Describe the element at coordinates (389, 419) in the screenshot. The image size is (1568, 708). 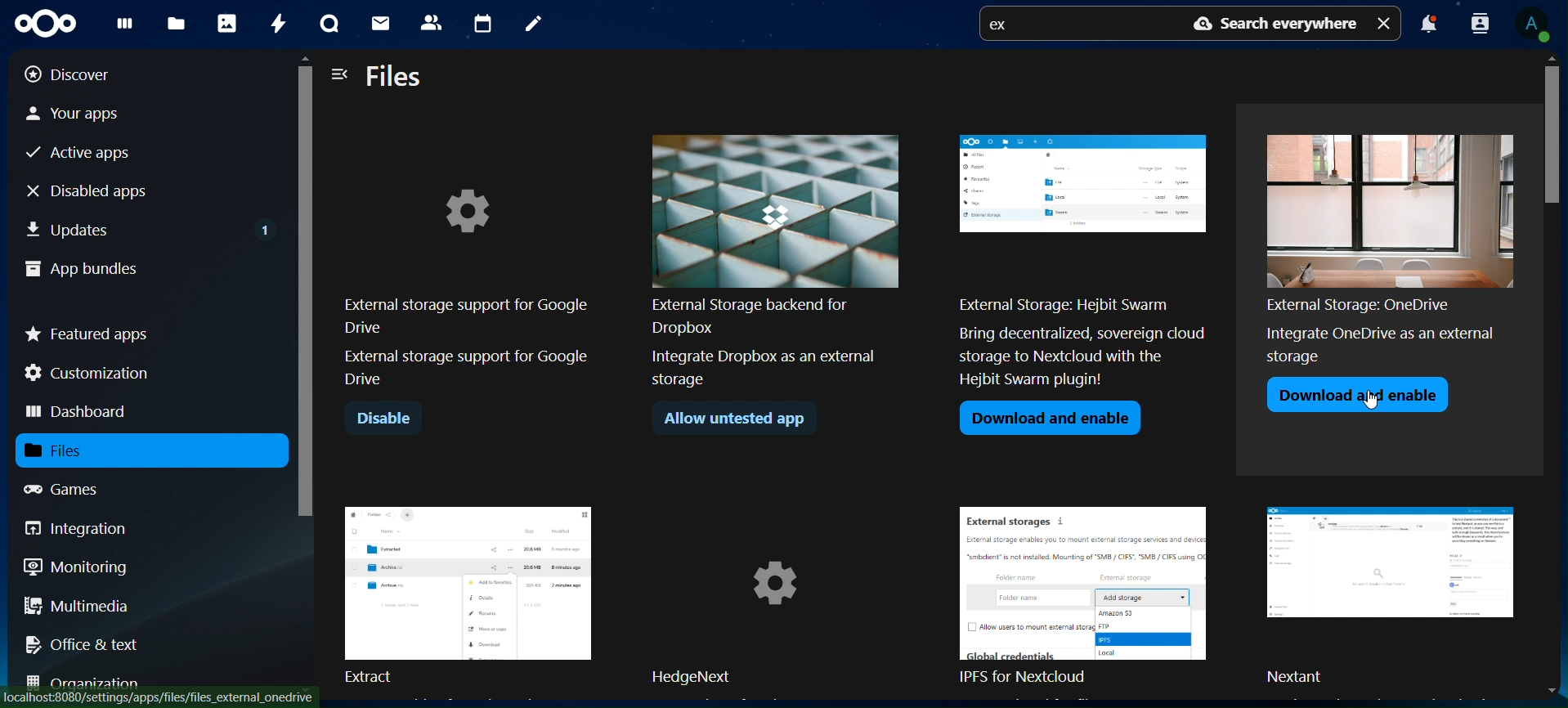
I see `disable` at that location.